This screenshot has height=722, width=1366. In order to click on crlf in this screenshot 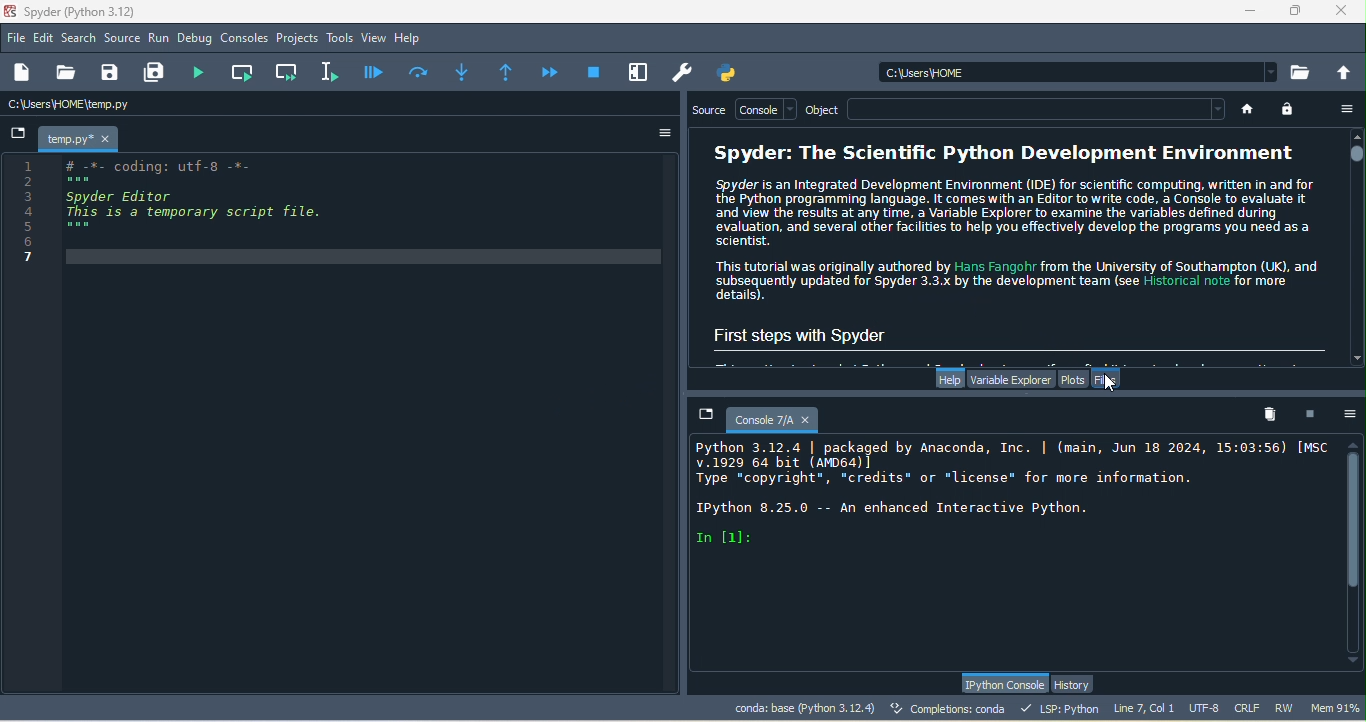, I will do `click(1250, 709)`.